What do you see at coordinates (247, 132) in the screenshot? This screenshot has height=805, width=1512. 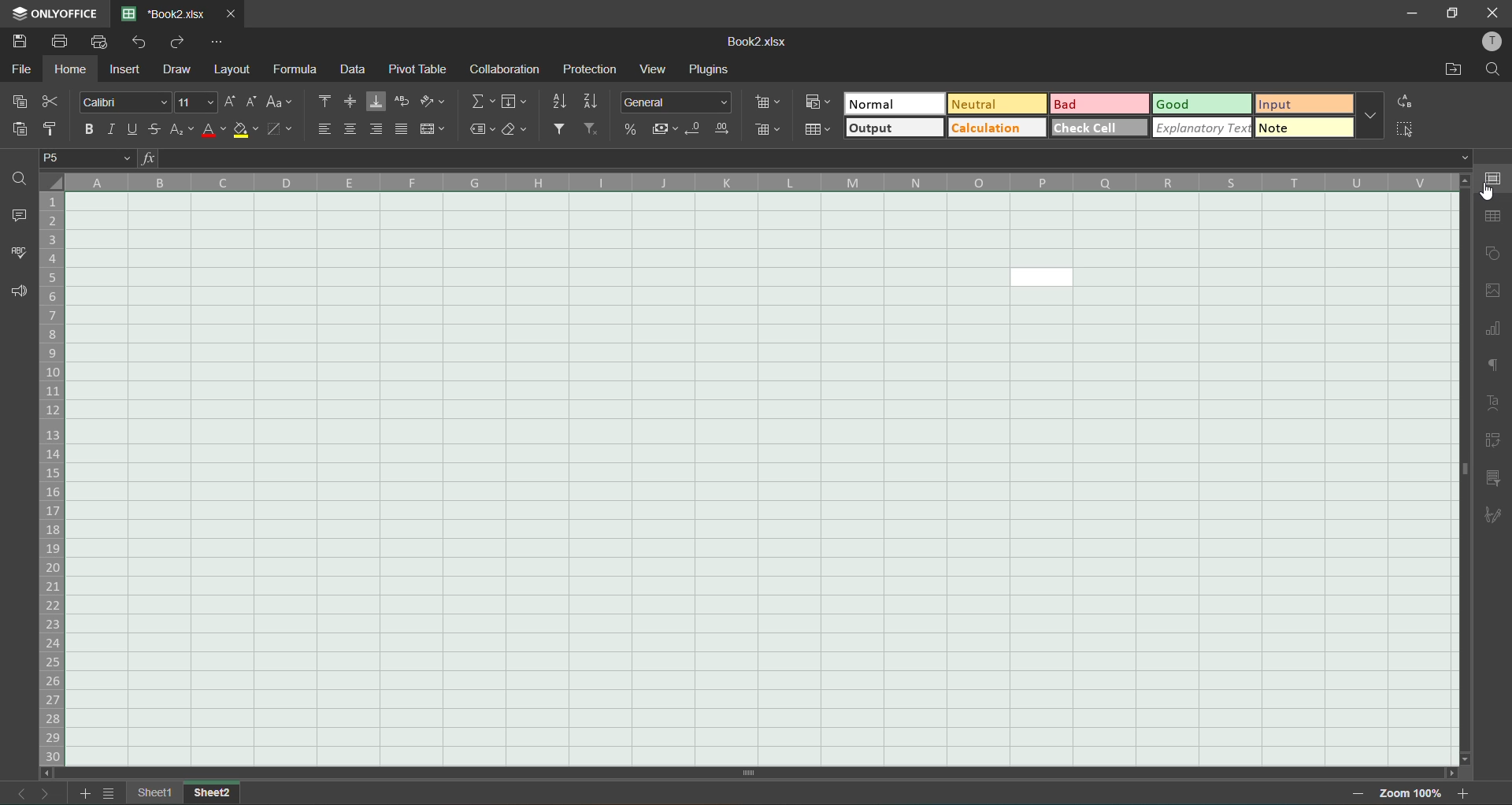 I see `fill  color` at bounding box center [247, 132].